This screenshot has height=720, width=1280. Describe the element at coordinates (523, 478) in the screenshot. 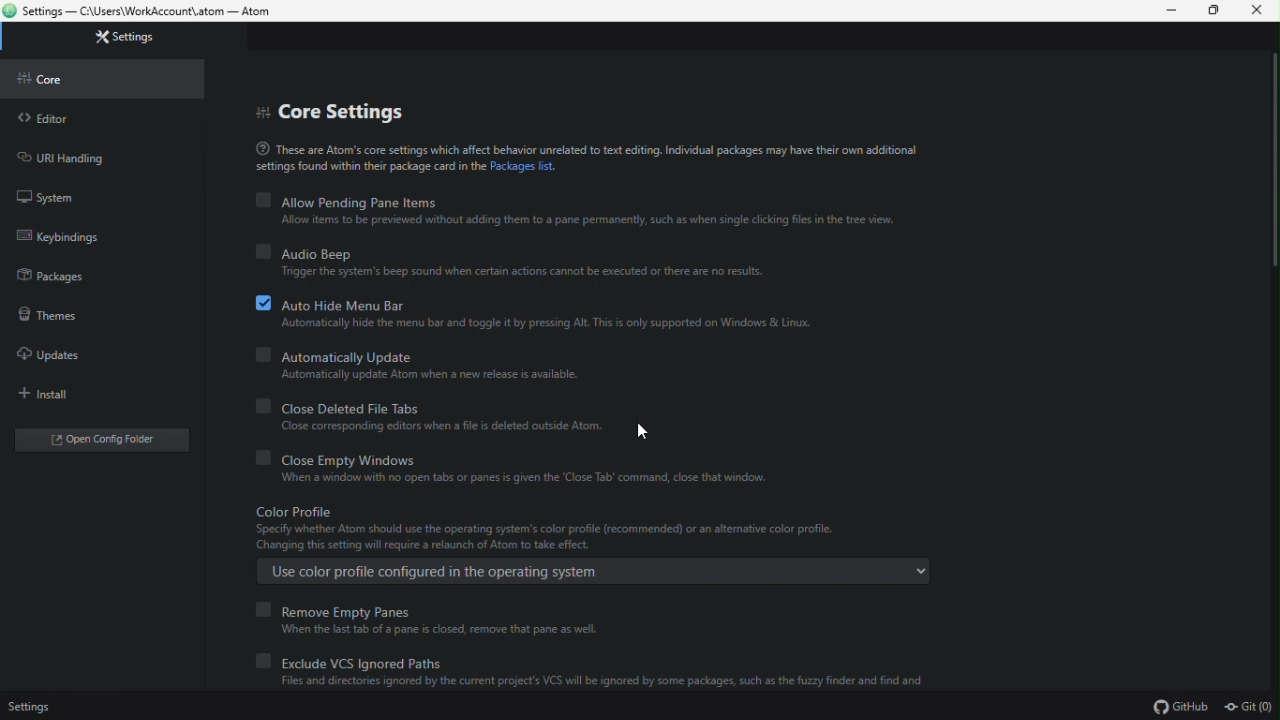

I see `When a window with no open tabs or panes is given the ‘Close Tab’ command, close that window.` at that location.